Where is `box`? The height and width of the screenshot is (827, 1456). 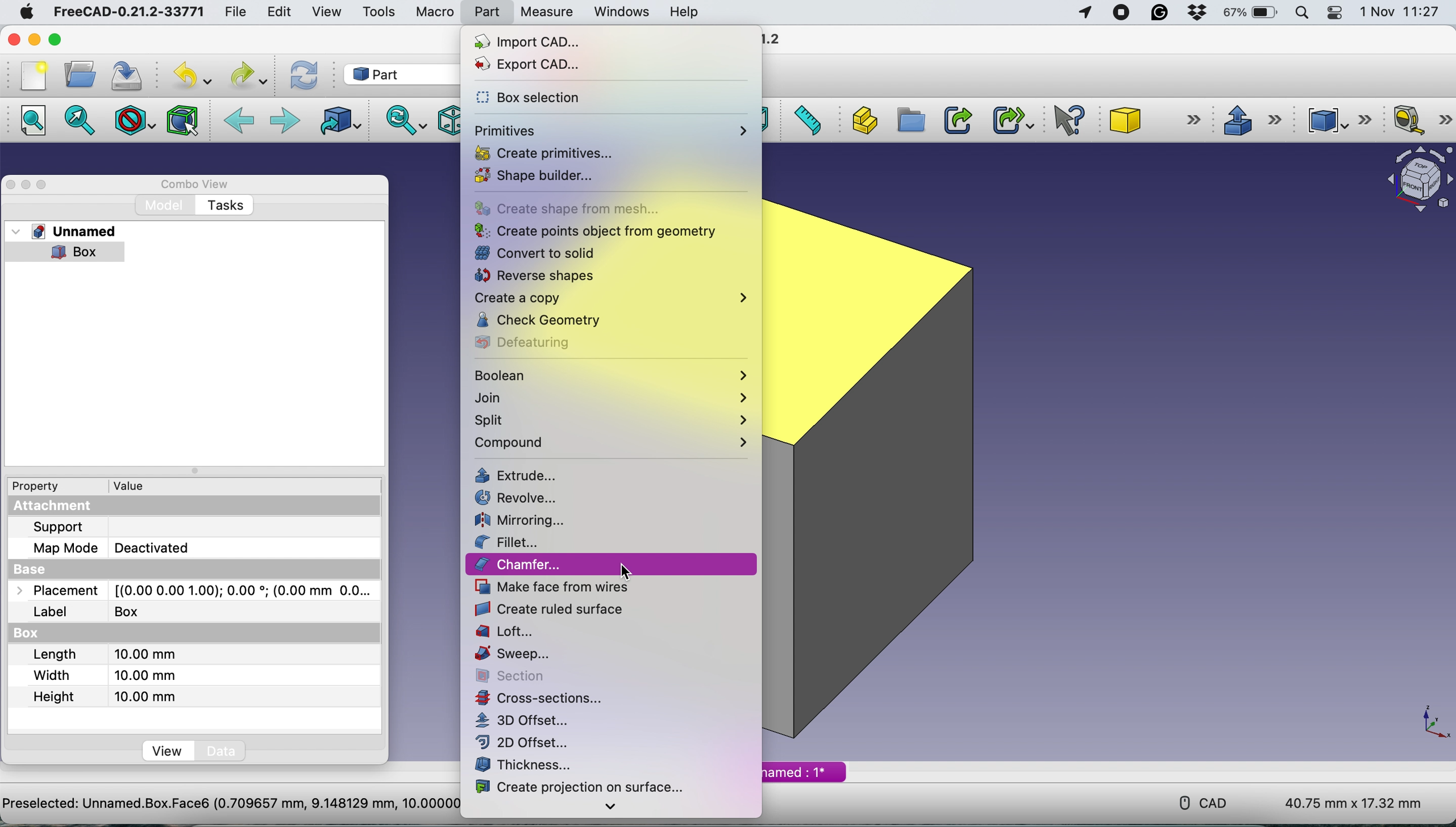 box is located at coordinates (57, 634).